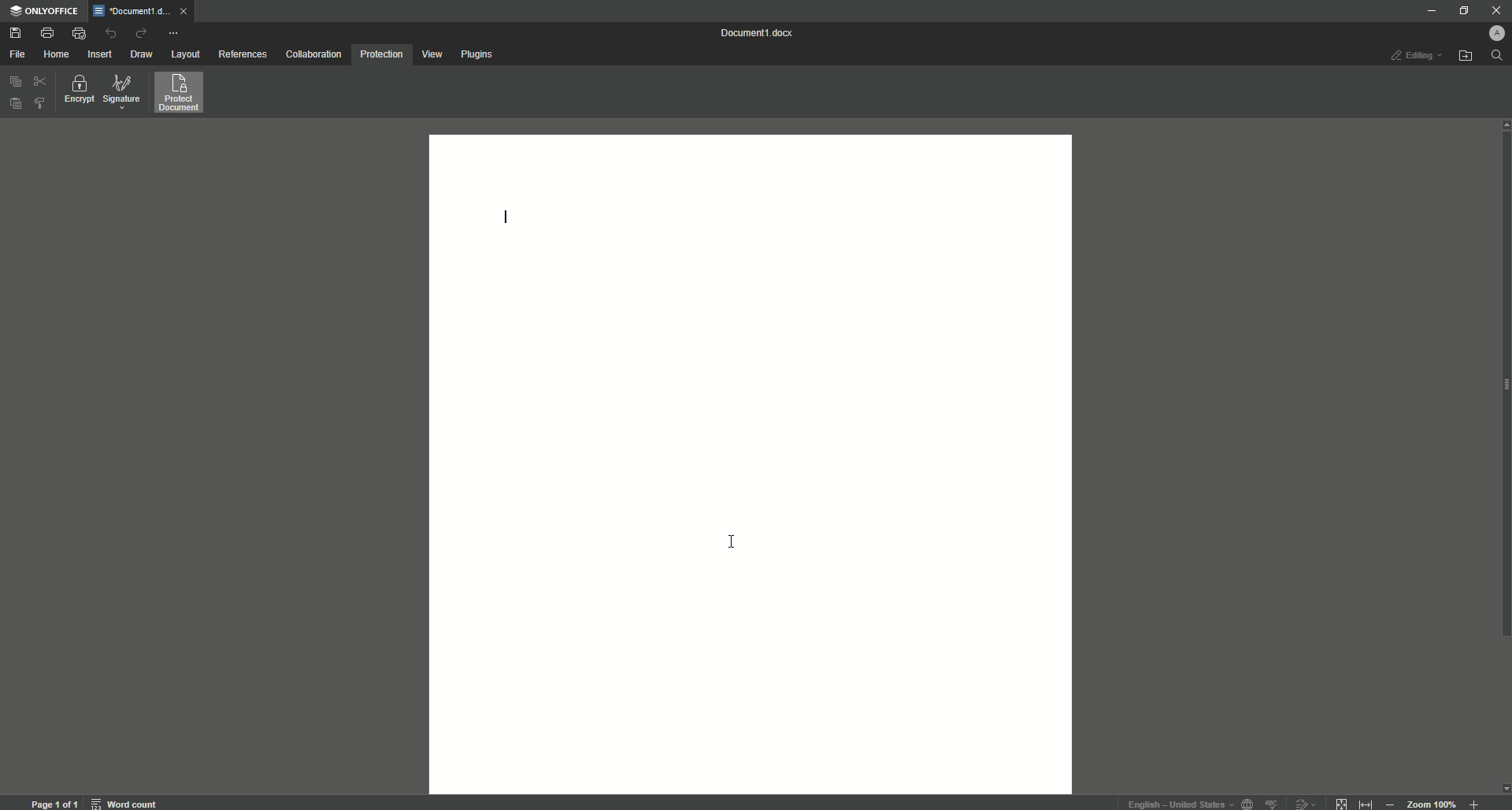 The height and width of the screenshot is (810, 1512). What do you see at coordinates (187, 14) in the screenshot?
I see `close` at bounding box center [187, 14].